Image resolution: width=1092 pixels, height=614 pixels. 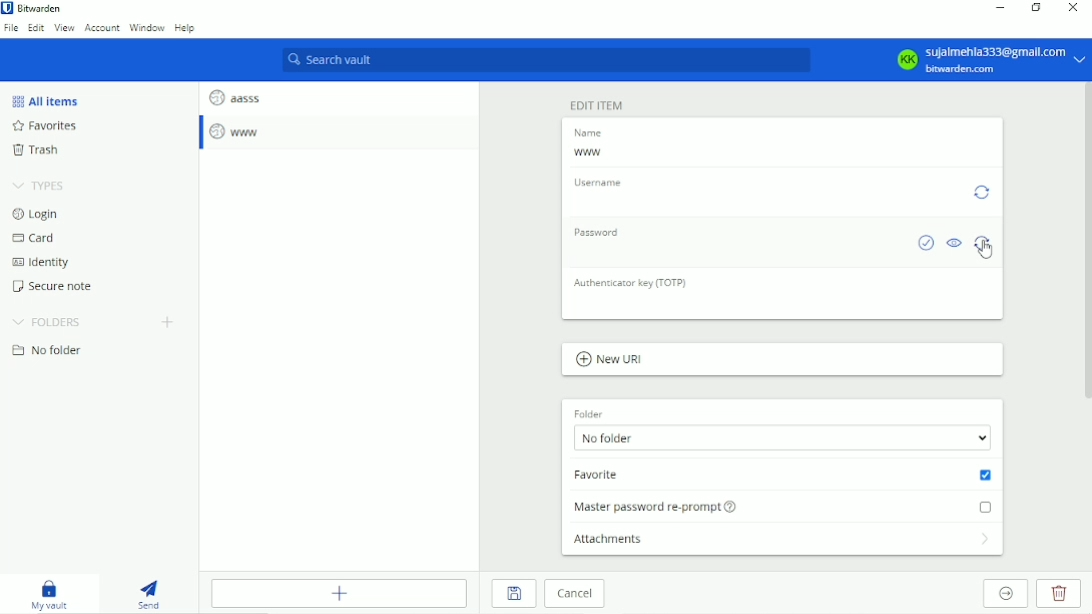 What do you see at coordinates (984, 242) in the screenshot?
I see `Generate password` at bounding box center [984, 242].